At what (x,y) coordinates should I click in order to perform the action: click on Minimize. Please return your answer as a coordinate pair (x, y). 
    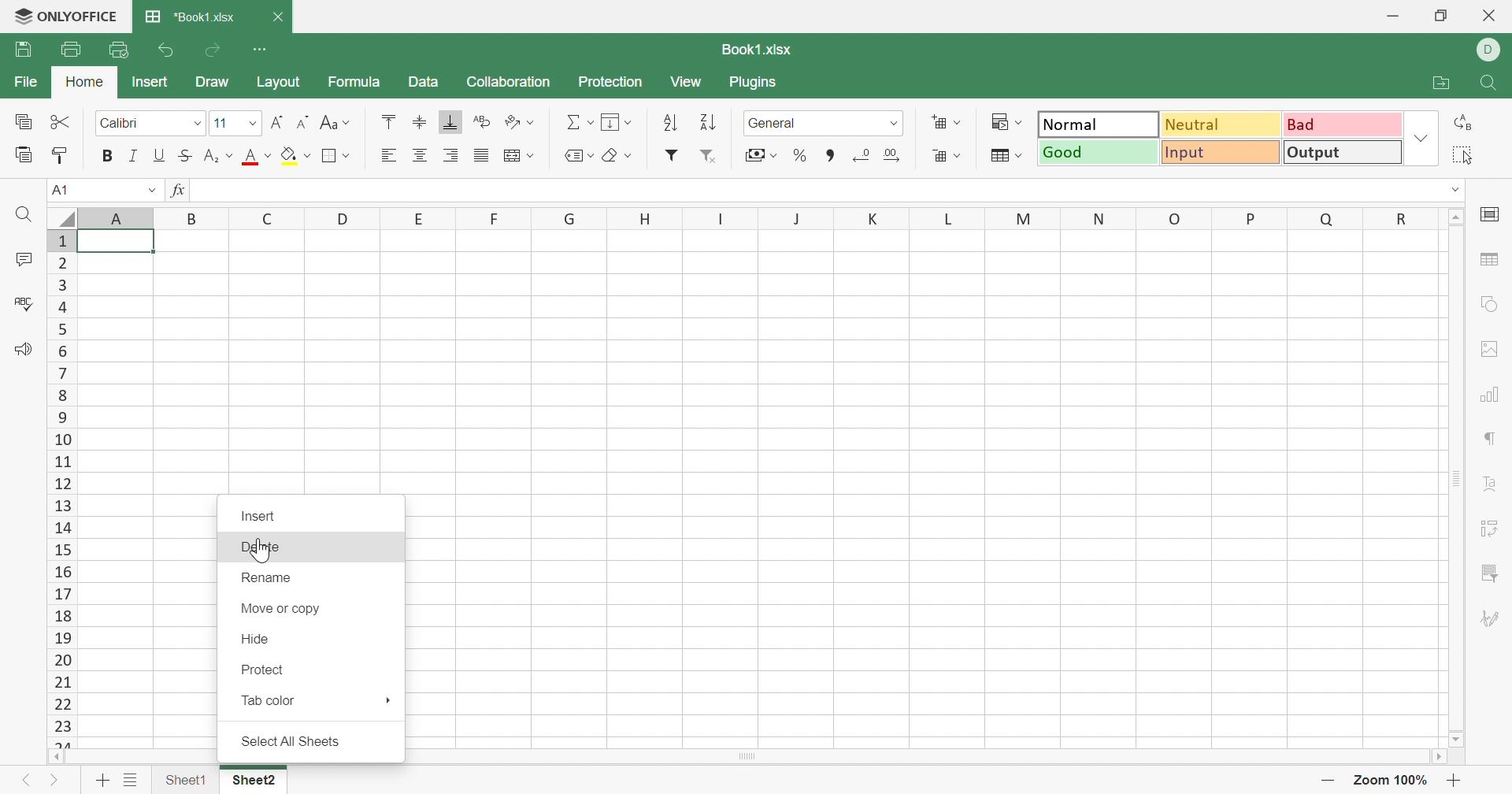
    Looking at the image, I should click on (1388, 16).